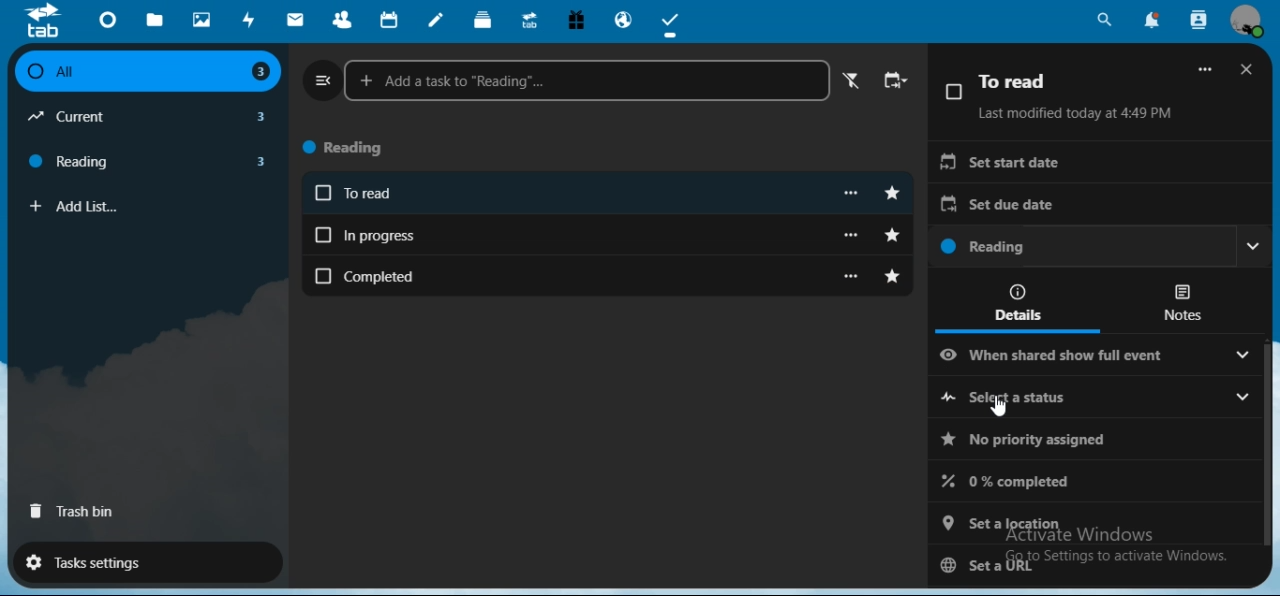 The height and width of the screenshot is (596, 1280). What do you see at coordinates (897, 82) in the screenshot?
I see `change sort order` at bounding box center [897, 82].